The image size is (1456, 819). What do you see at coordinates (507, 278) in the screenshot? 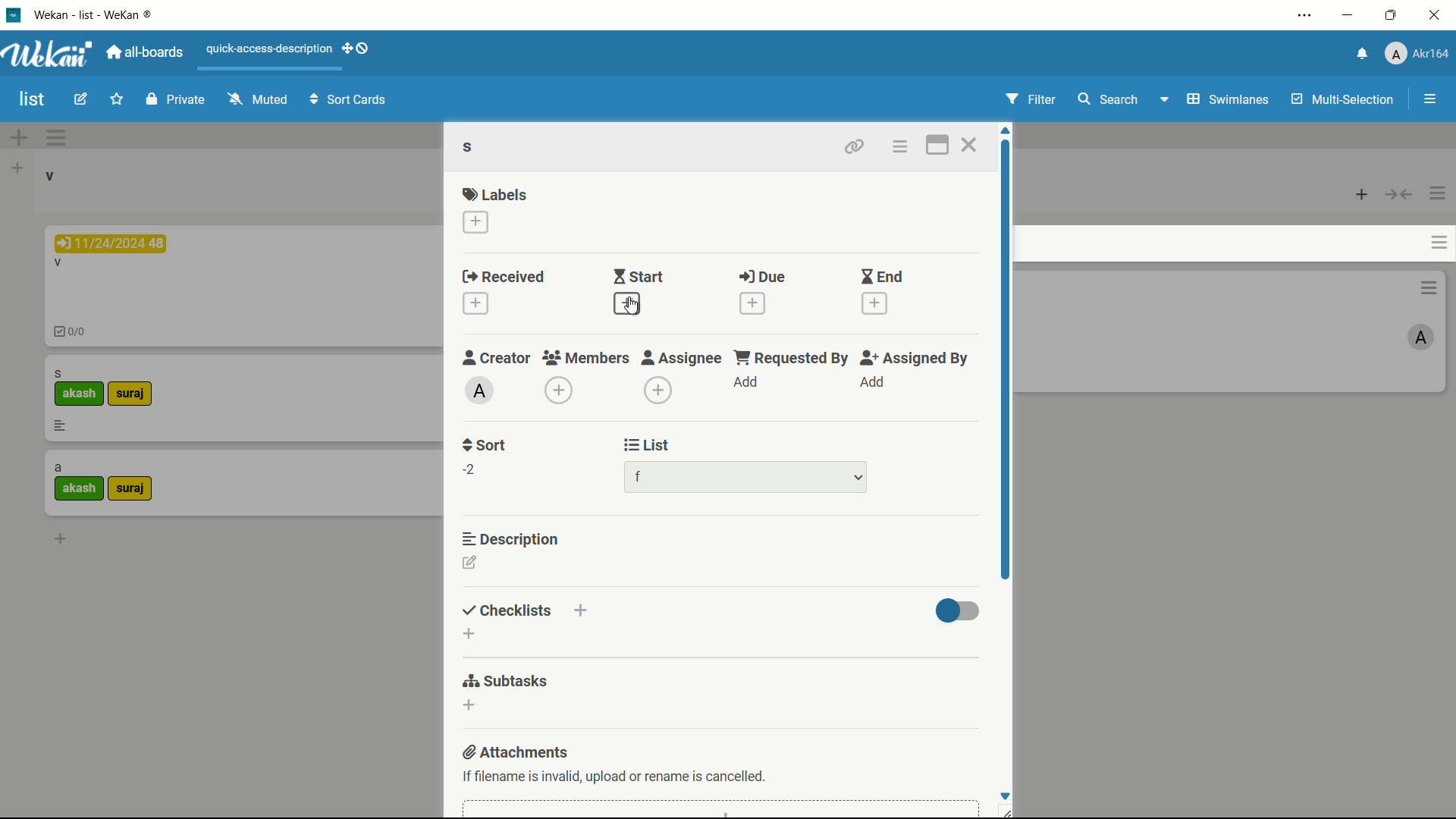
I see `received` at bounding box center [507, 278].